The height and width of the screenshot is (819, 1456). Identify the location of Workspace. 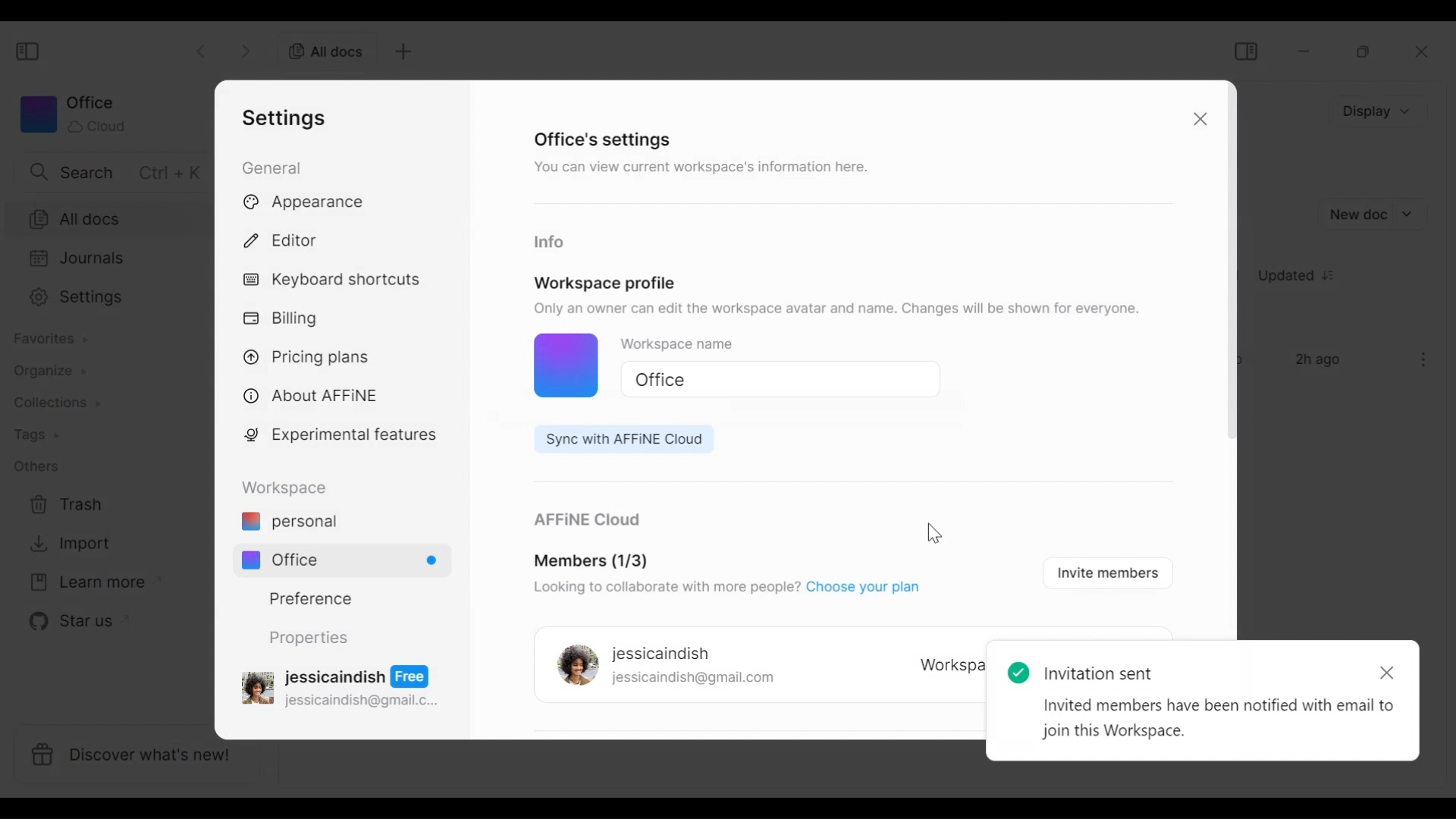
(289, 488).